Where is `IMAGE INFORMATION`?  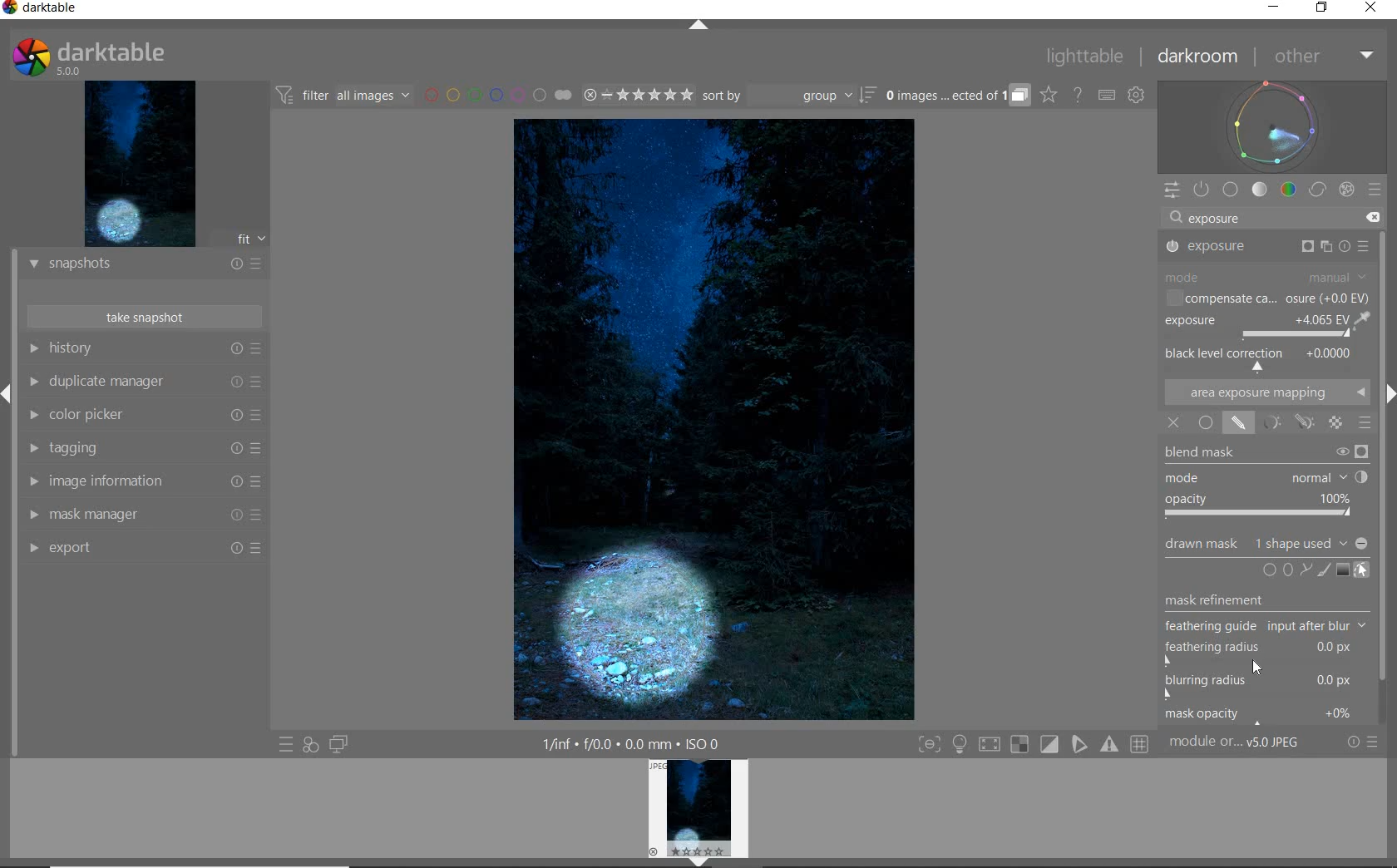
IMAGE INFORMATION is located at coordinates (141, 482).